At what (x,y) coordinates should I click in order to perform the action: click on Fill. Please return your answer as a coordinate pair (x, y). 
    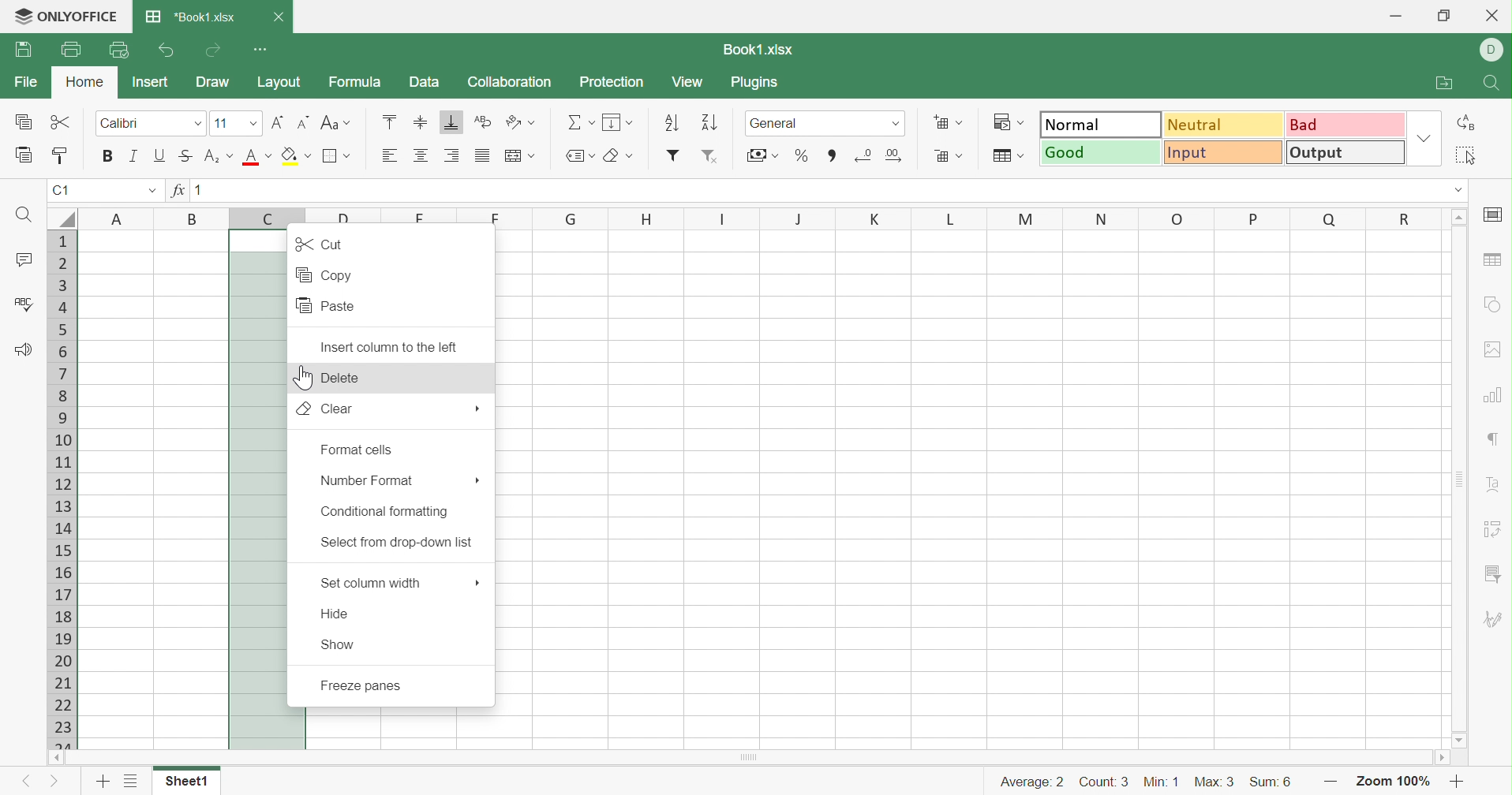
    Looking at the image, I should click on (613, 121).